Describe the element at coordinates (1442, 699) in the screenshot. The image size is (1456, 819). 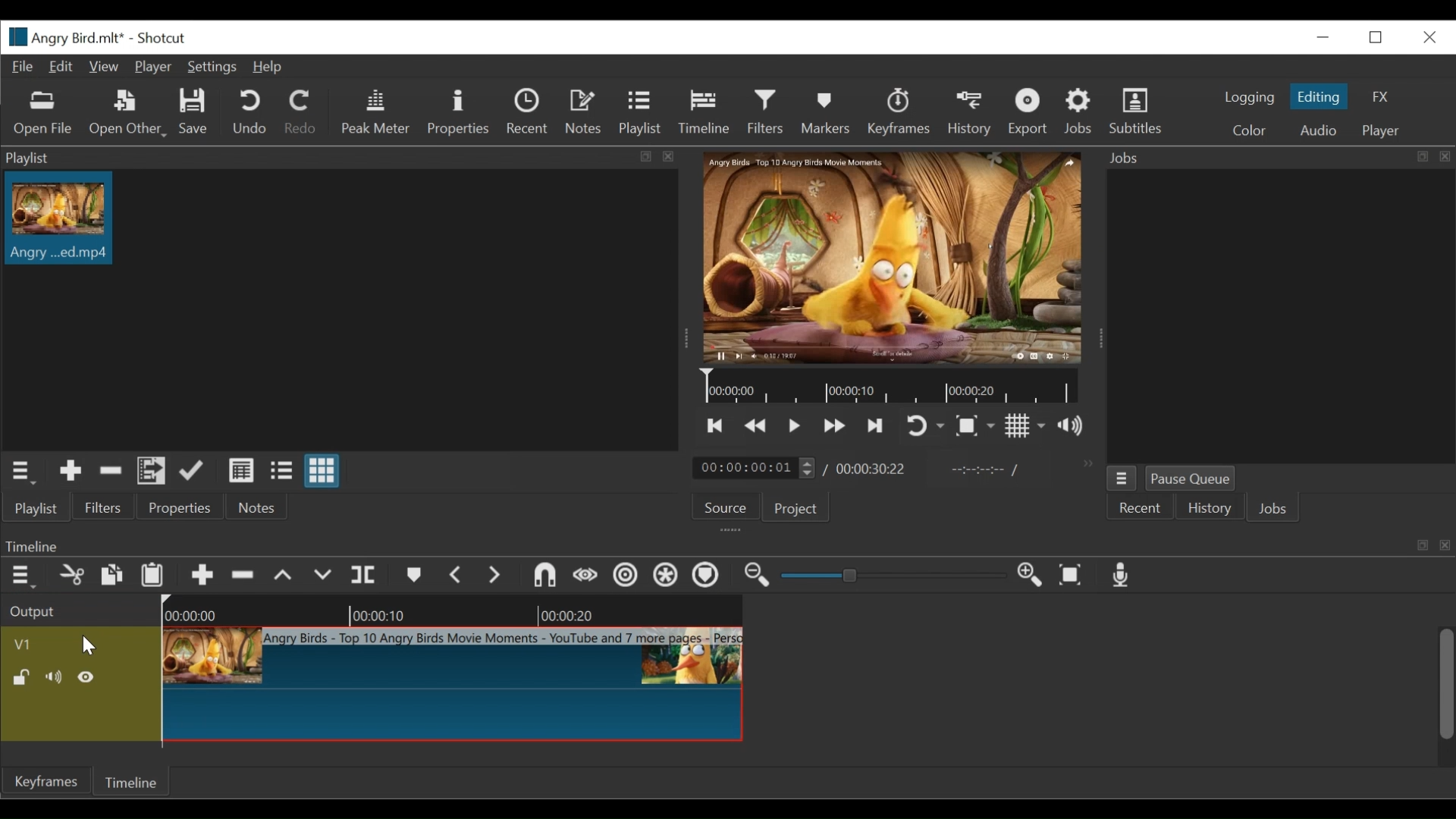
I see `vertical scroll bar` at that location.